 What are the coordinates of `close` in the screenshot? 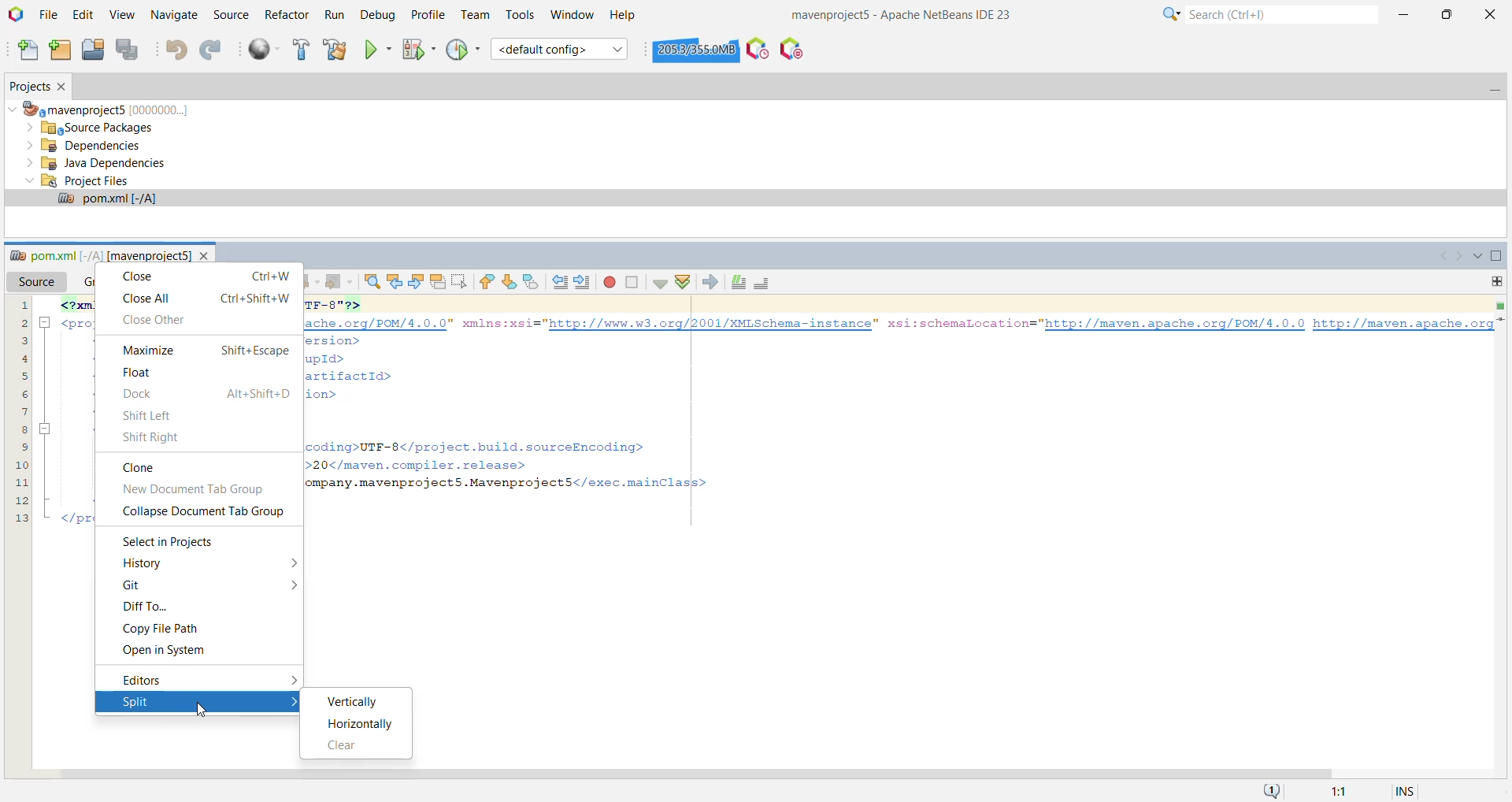 It's located at (206, 253).